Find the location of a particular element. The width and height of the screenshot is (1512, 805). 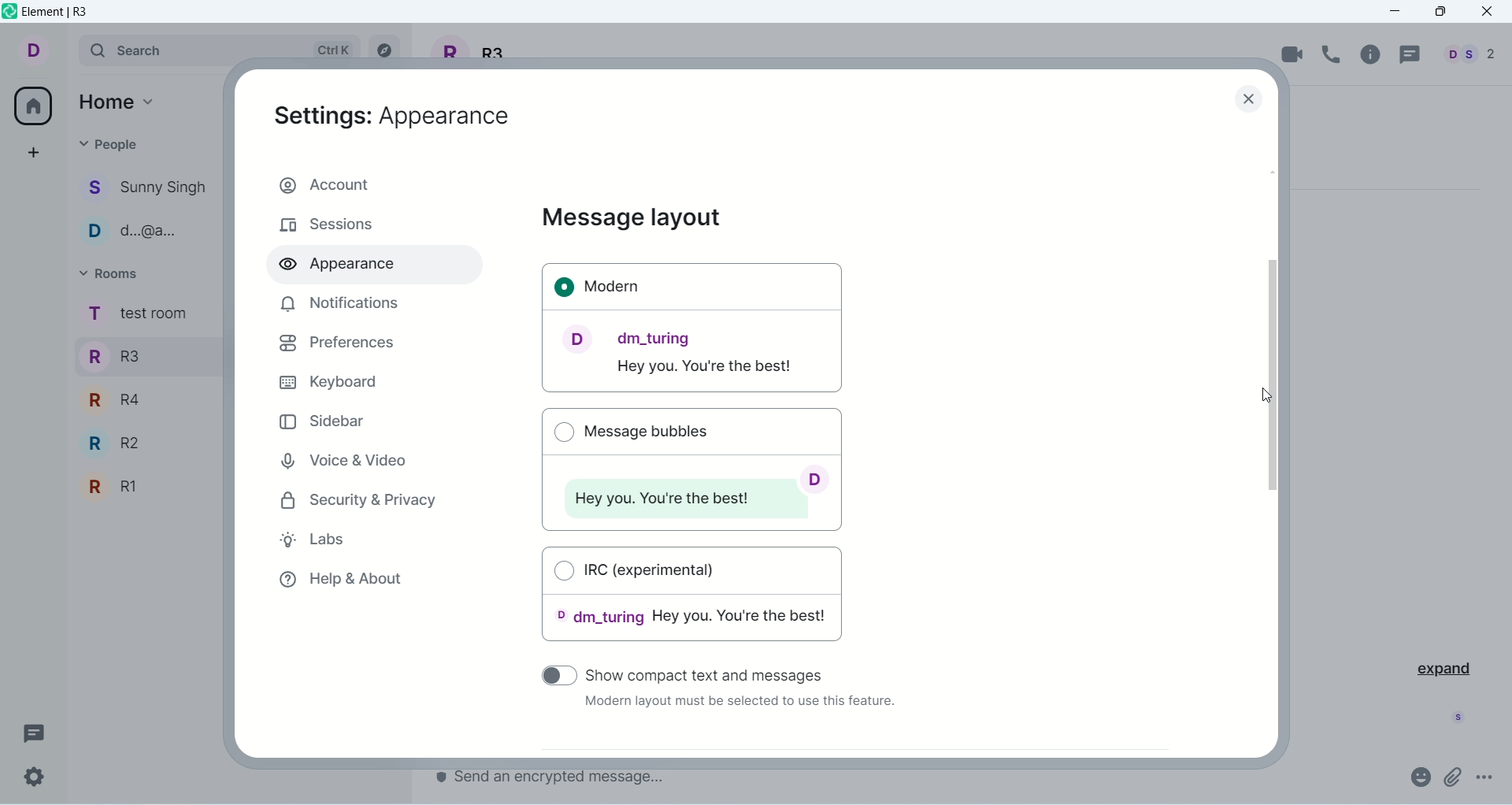

people is located at coordinates (146, 232).